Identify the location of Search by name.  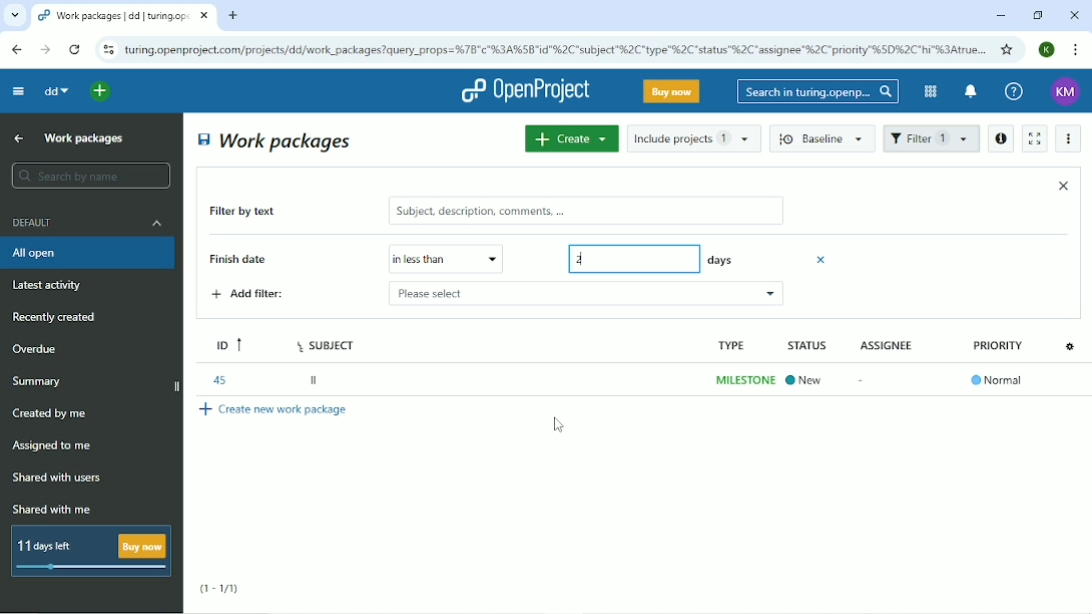
(90, 176).